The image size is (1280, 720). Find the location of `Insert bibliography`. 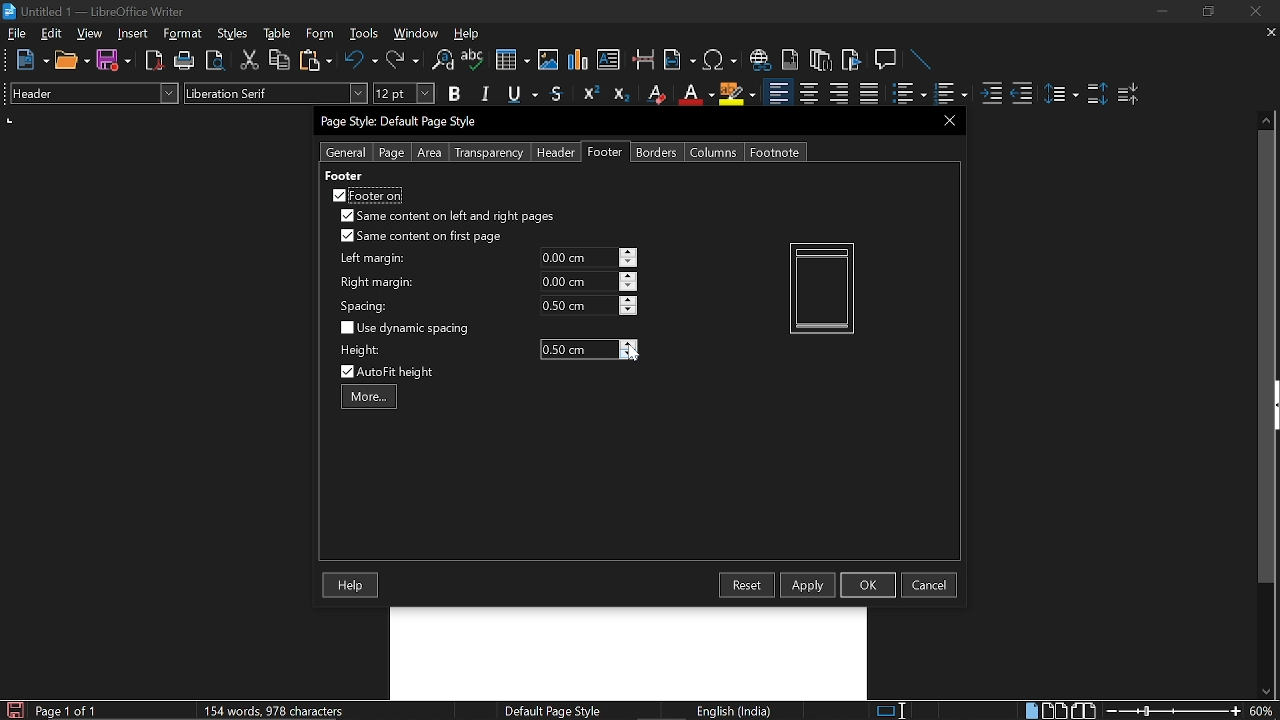

Insert bibliography is located at coordinates (852, 61).